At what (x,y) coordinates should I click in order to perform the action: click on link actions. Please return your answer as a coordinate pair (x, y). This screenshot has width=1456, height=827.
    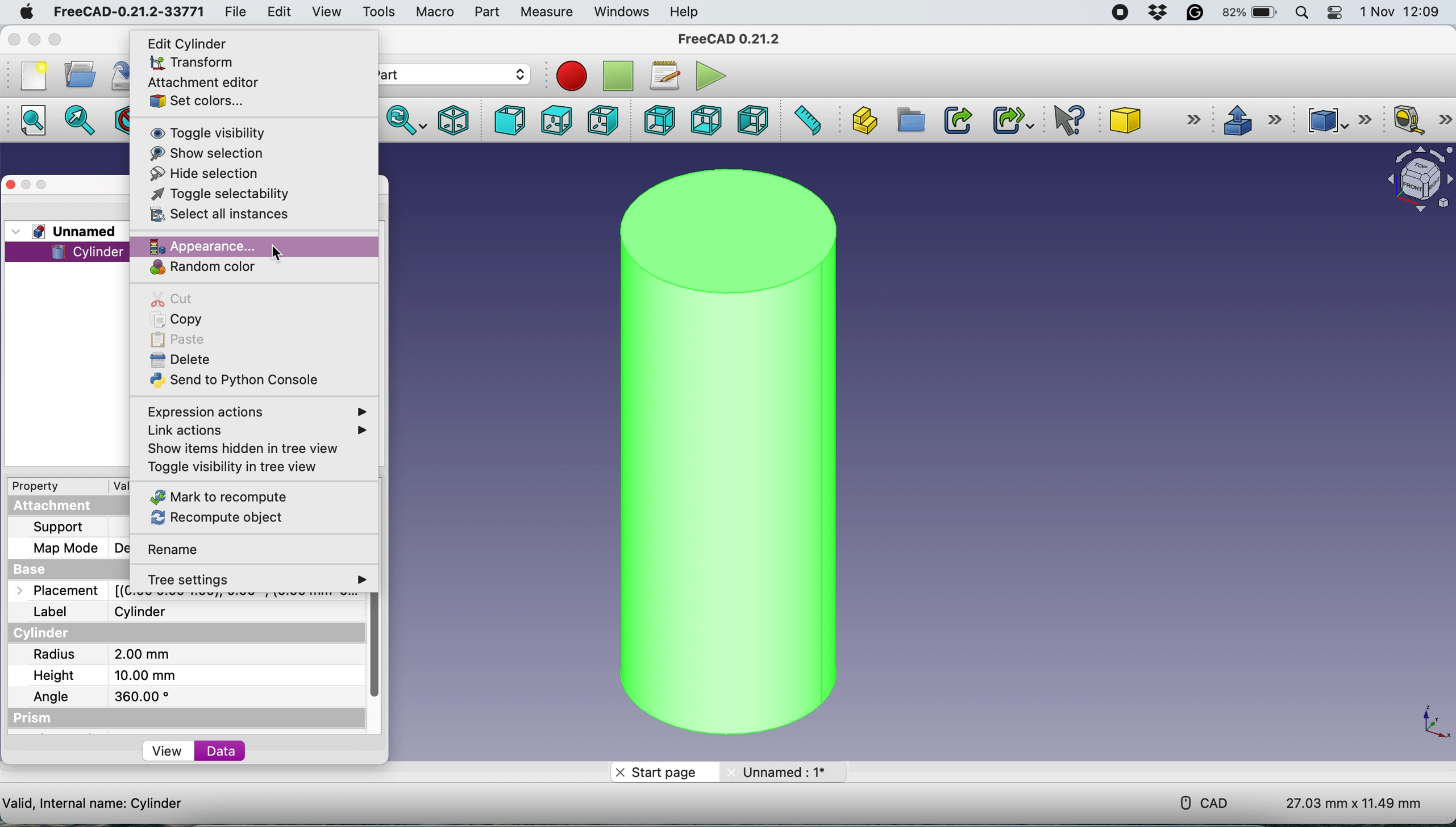
    Looking at the image, I should click on (260, 429).